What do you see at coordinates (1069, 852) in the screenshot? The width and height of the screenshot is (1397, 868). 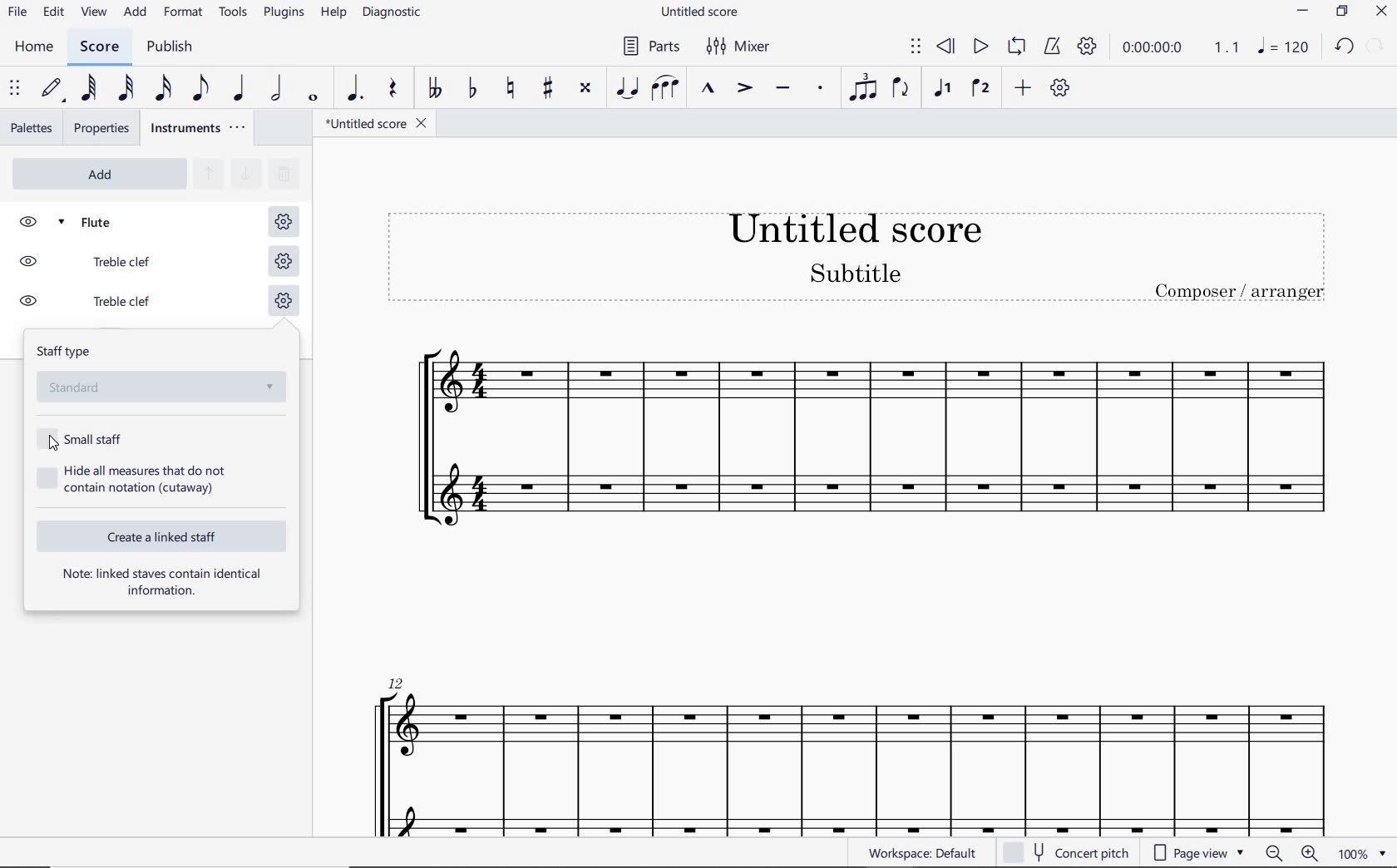 I see `concert pitch` at bounding box center [1069, 852].